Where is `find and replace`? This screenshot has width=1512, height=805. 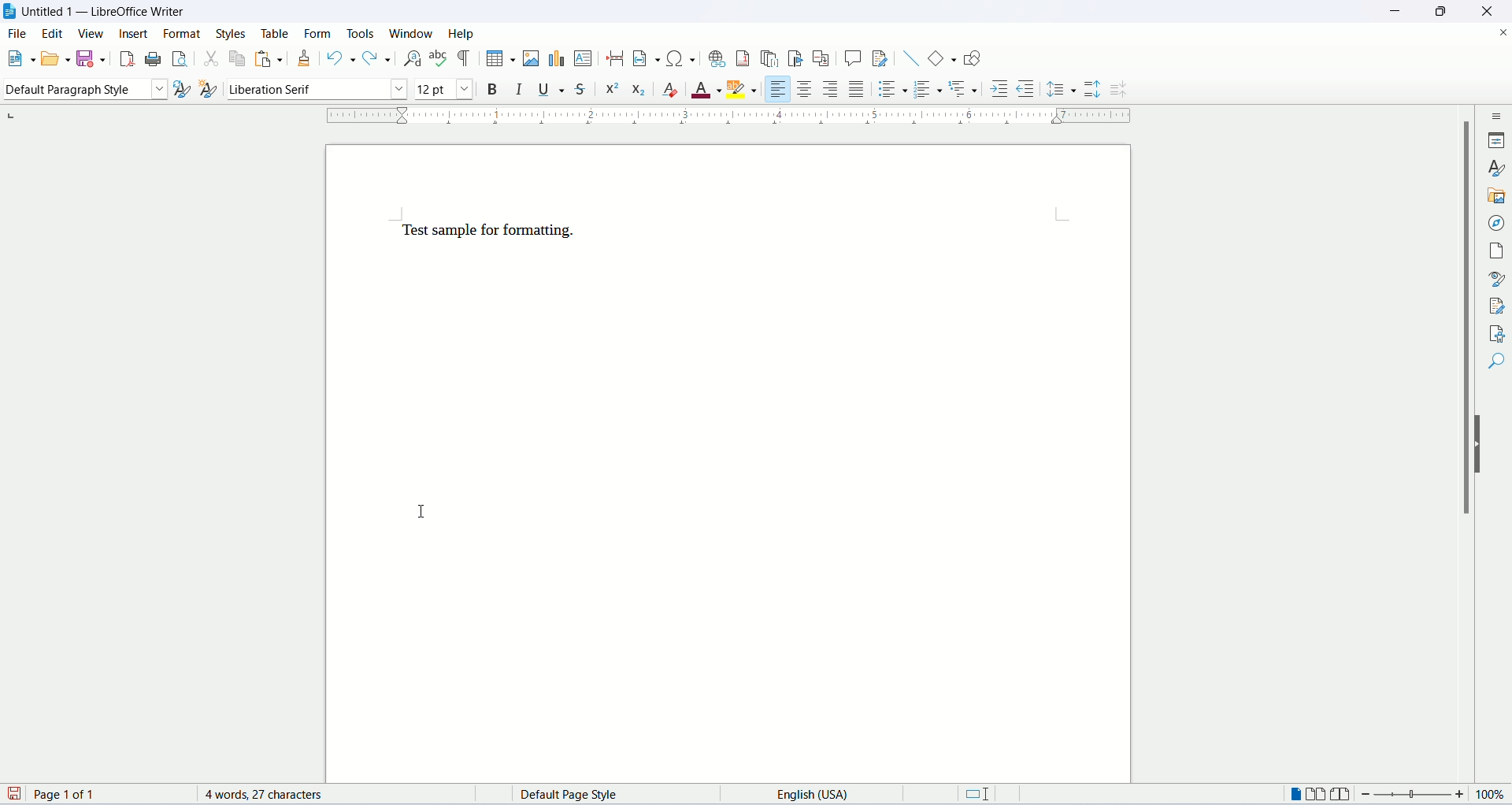
find and replace is located at coordinates (409, 58).